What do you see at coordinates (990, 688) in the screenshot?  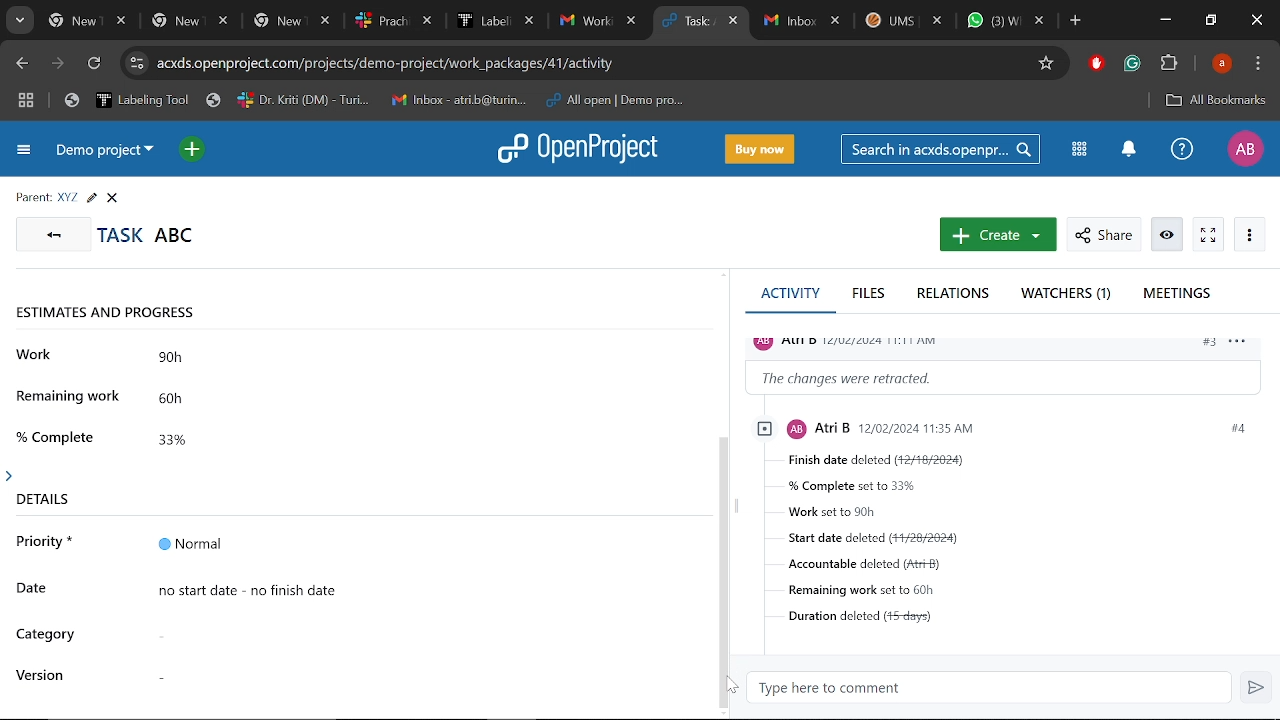 I see `Type here to comment` at bounding box center [990, 688].